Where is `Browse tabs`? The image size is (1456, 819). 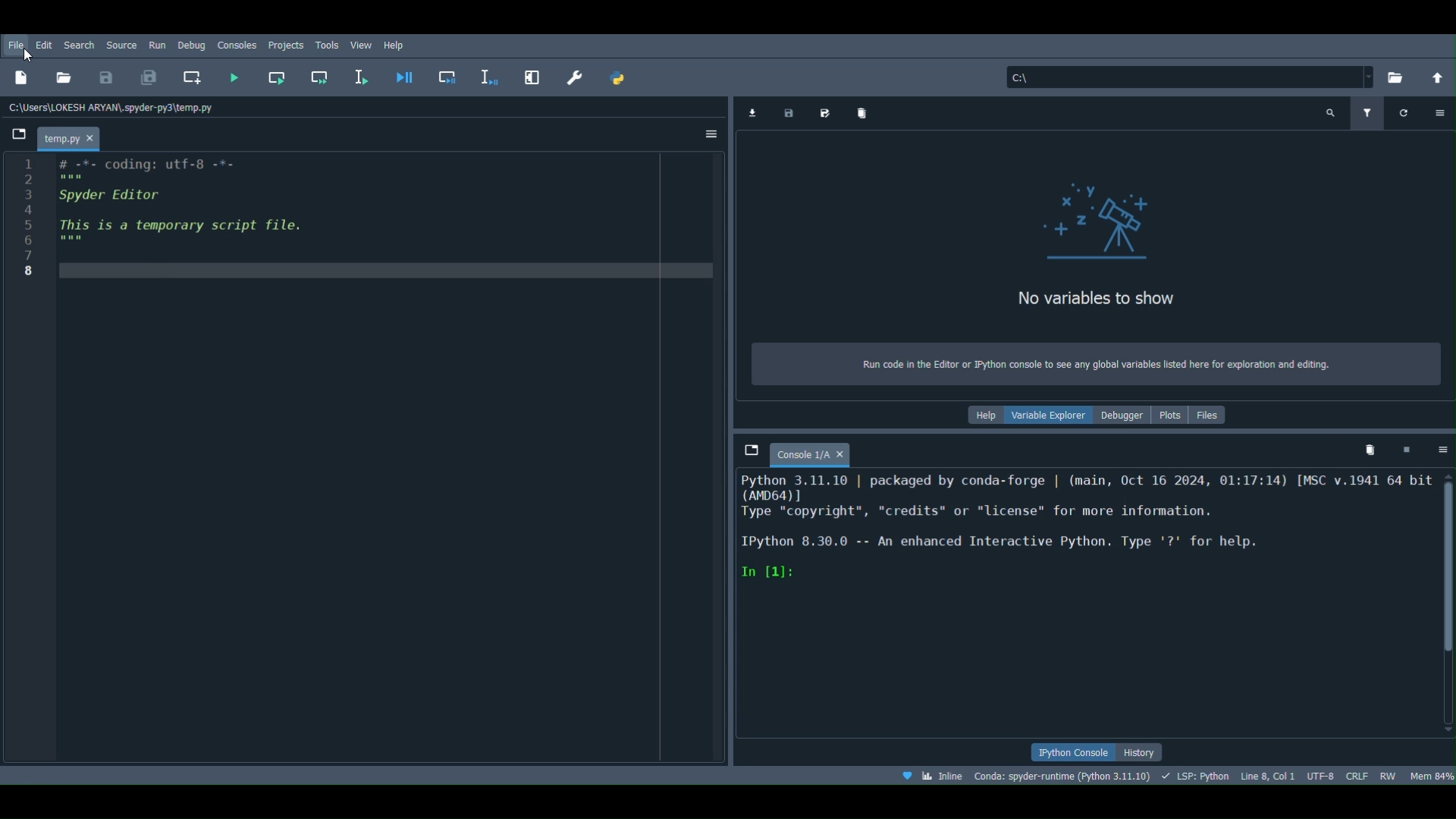
Browse tabs is located at coordinates (19, 136).